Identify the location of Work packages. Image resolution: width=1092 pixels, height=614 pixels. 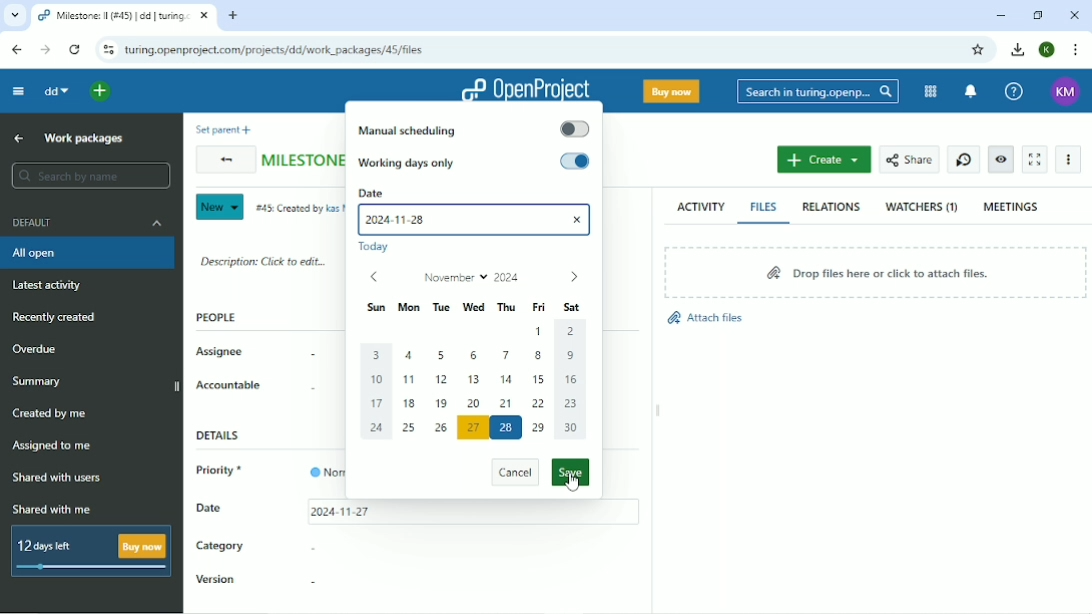
(84, 138).